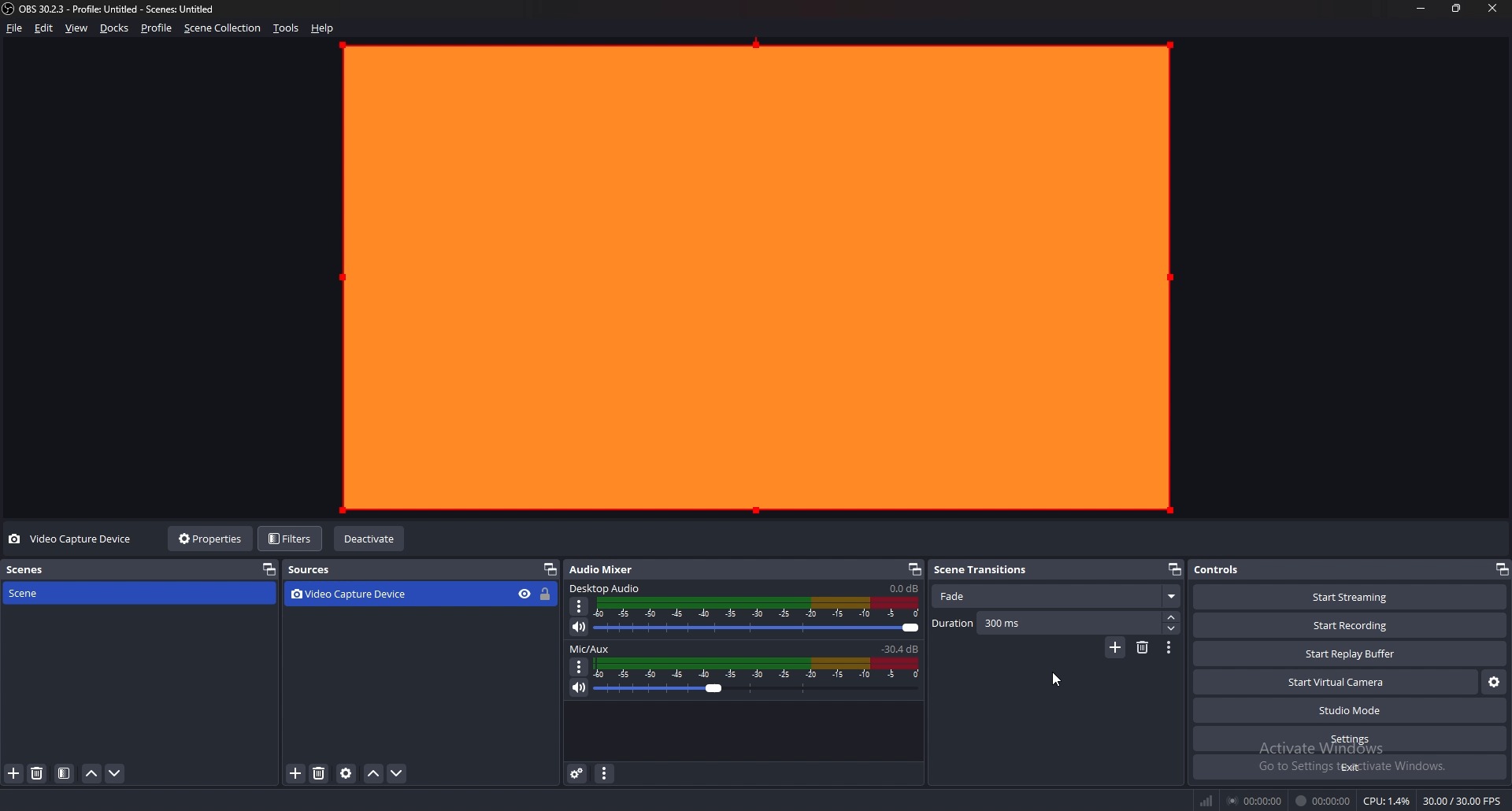 This screenshot has width=1512, height=811. I want to click on remove source, so click(319, 775).